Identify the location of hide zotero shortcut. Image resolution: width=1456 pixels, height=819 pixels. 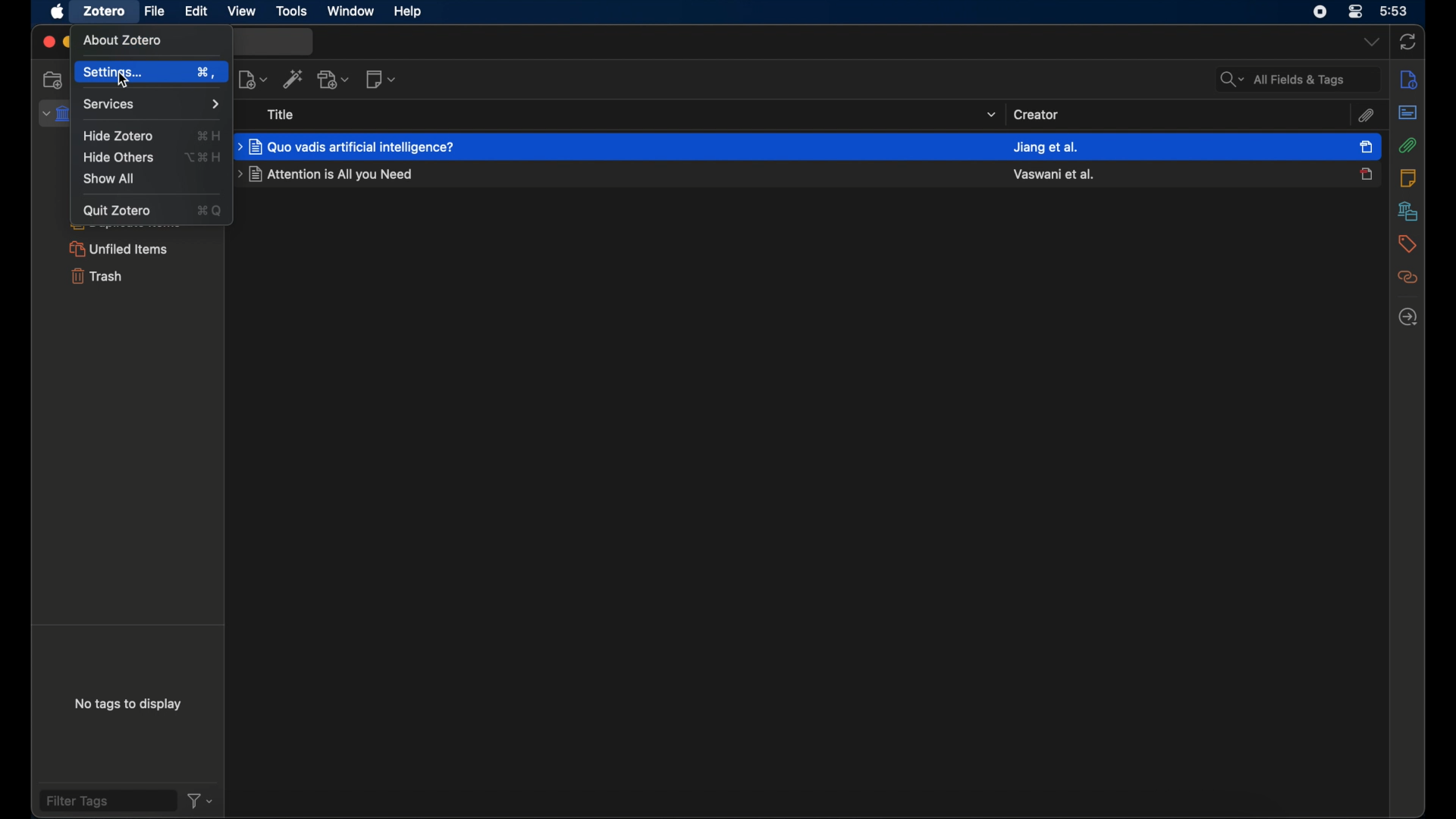
(209, 136).